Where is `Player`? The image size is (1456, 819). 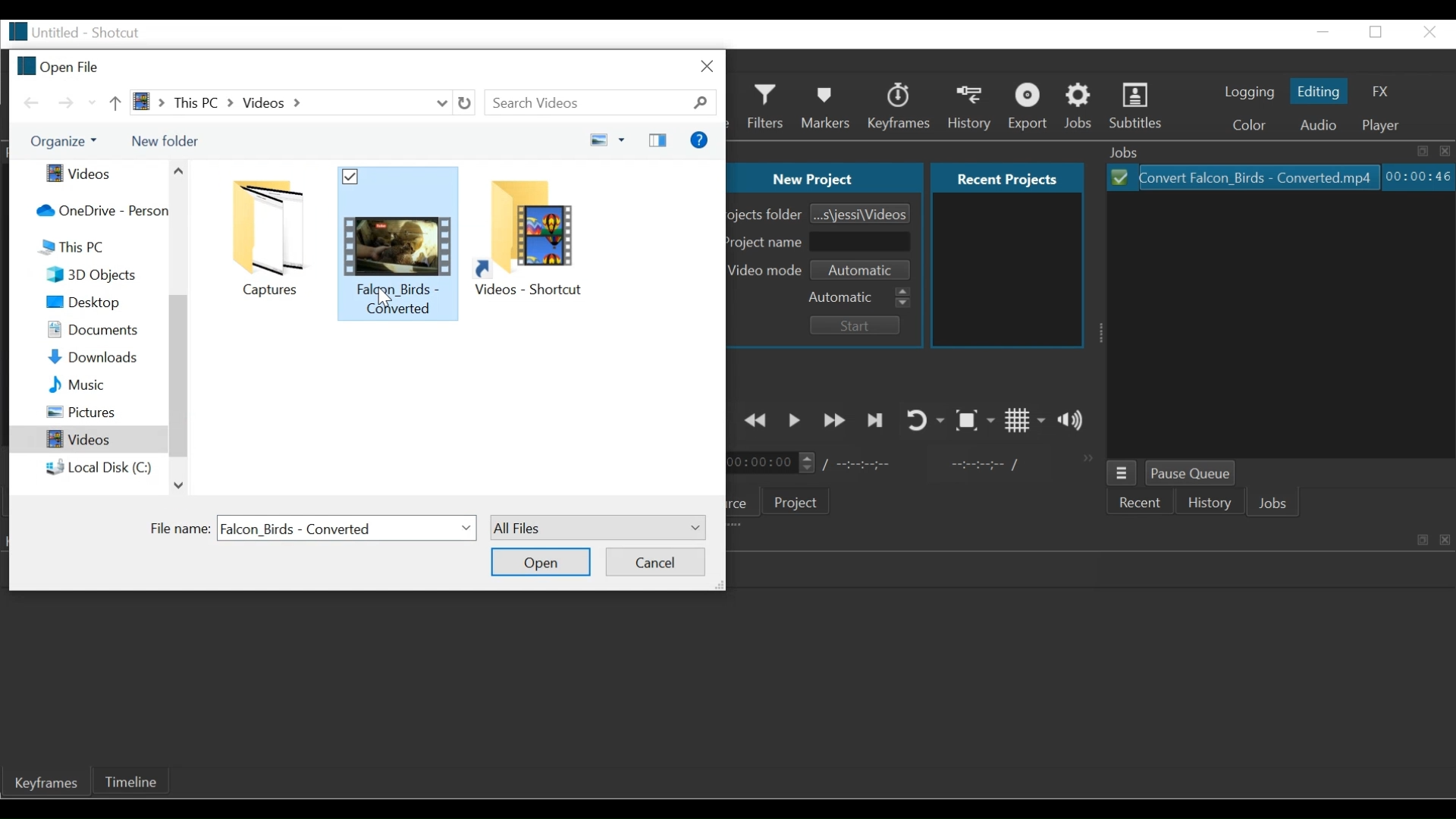
Player is located at coordinates (1382, 126).